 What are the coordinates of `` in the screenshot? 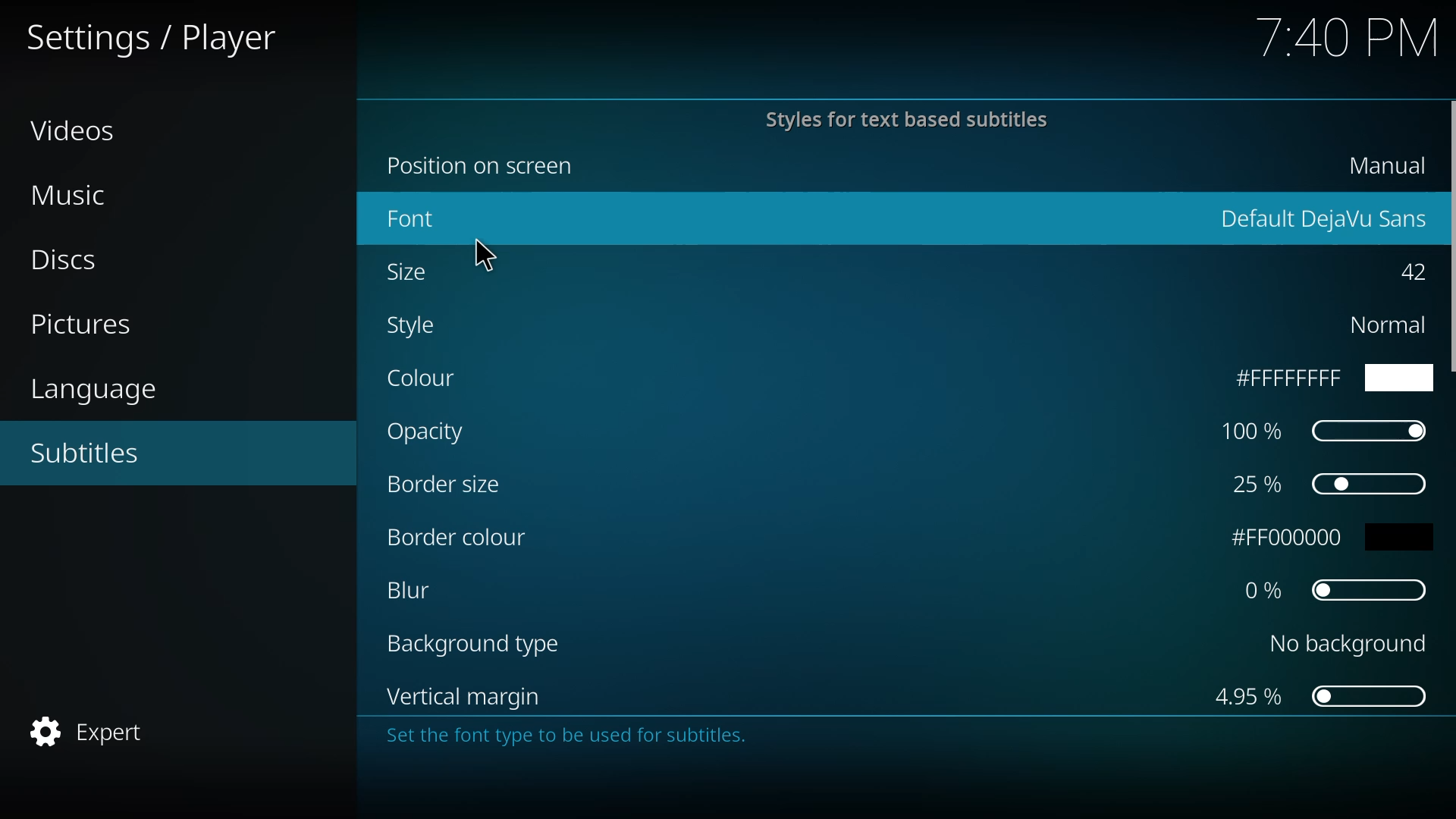 It's located at (155, 39).